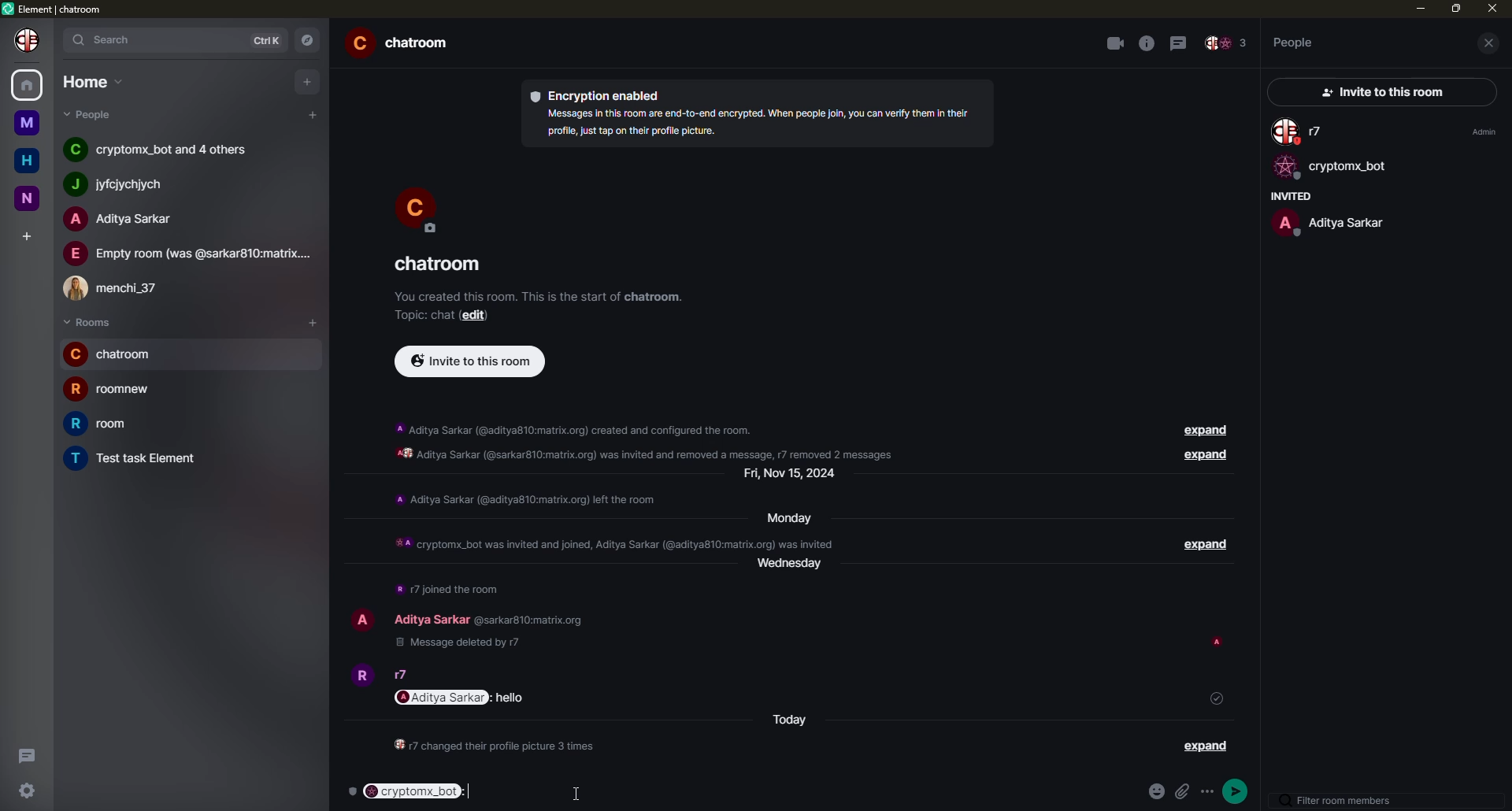 Image resolution: width=1512 pixels, height=811 pixels. Describe the element at coordinates (784, 517) in the screenshot. I see `day` at that location.